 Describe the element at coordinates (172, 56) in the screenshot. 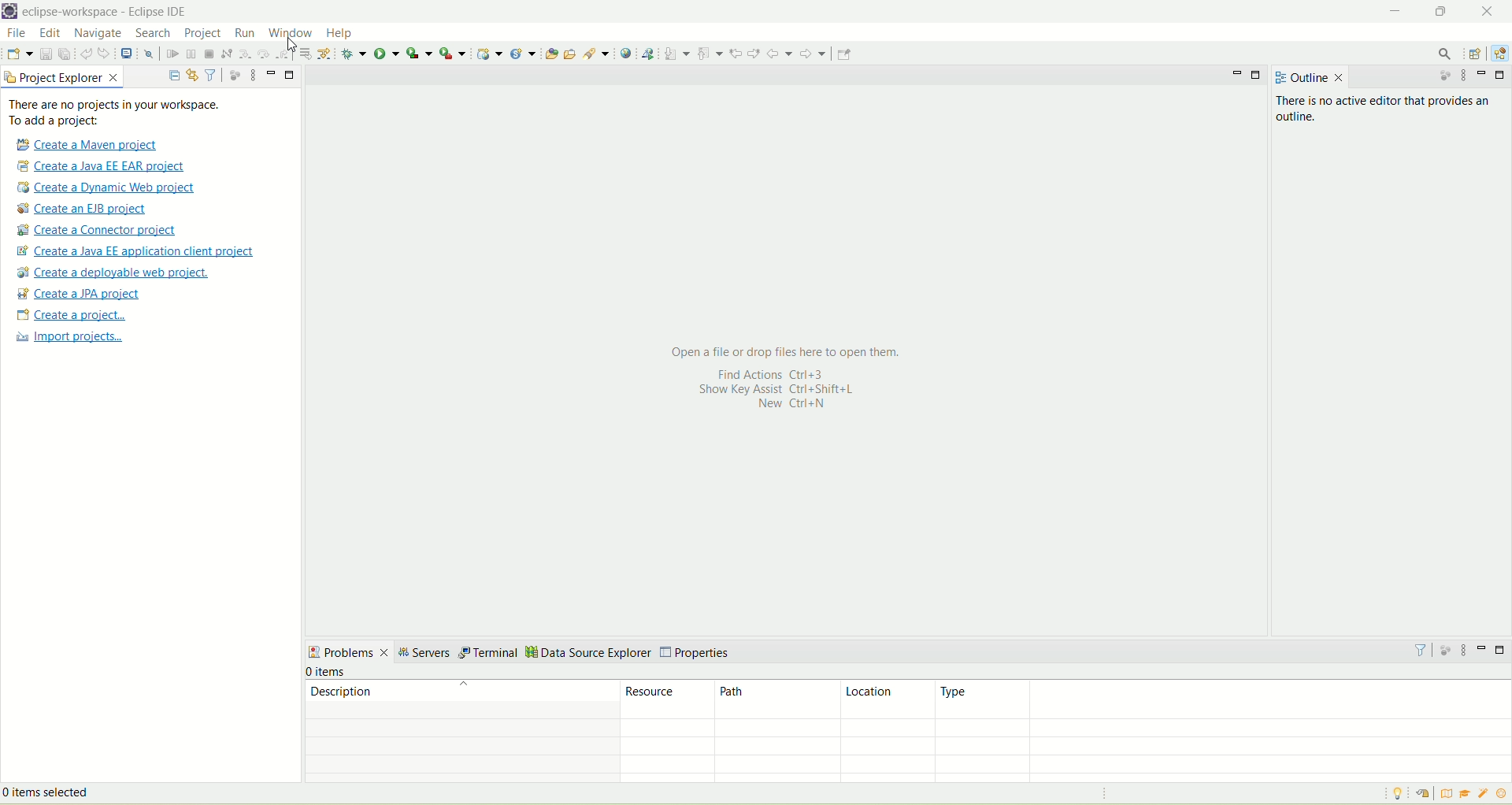

I see `resume` at that location.